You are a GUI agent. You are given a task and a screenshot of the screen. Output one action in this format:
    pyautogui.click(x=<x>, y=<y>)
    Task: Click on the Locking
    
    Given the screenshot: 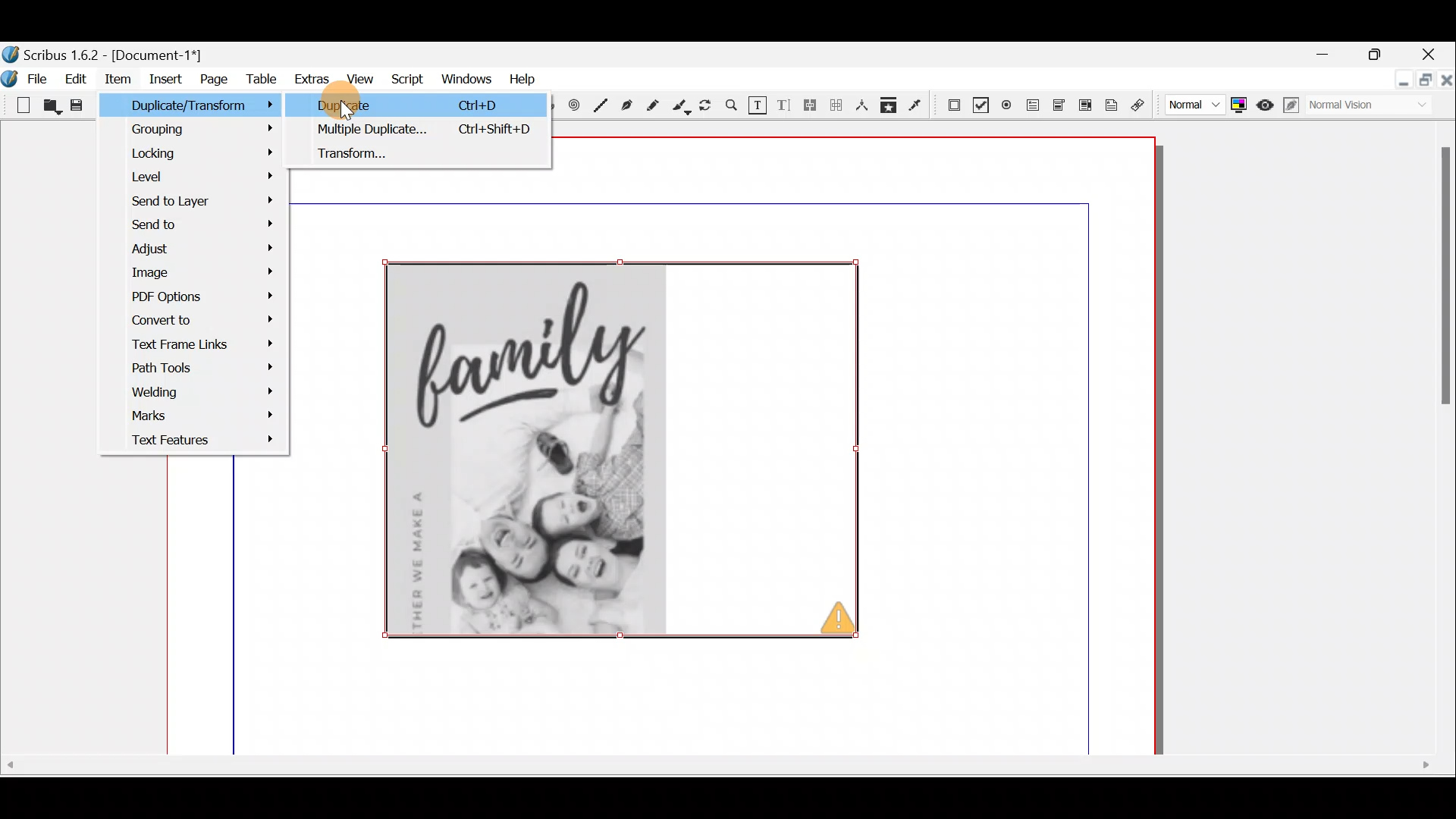 What is the action you would take?
    pyautogui.click(x=206, y=157)
    